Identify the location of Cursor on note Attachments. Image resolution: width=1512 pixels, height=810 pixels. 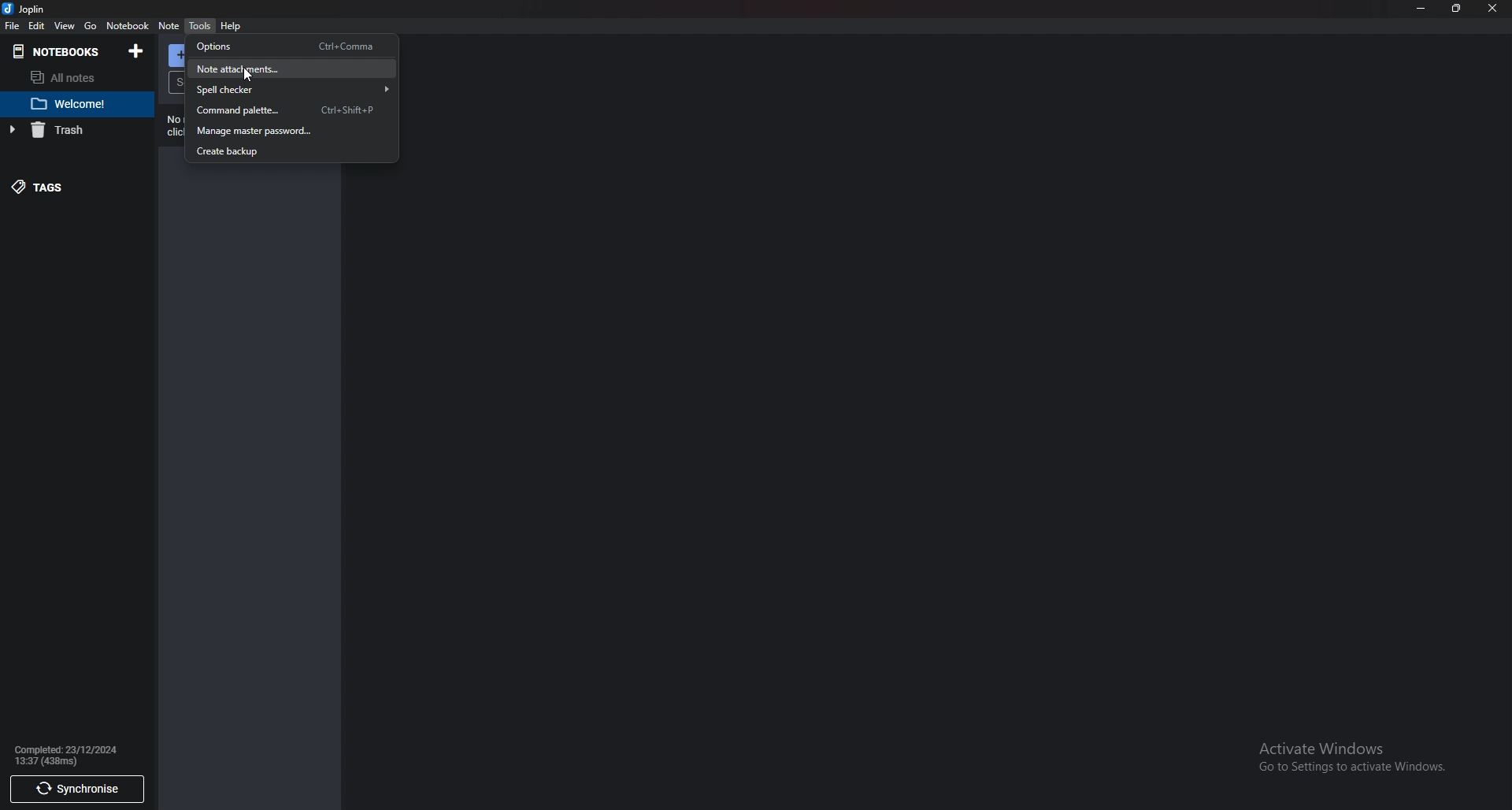
(288, 69).